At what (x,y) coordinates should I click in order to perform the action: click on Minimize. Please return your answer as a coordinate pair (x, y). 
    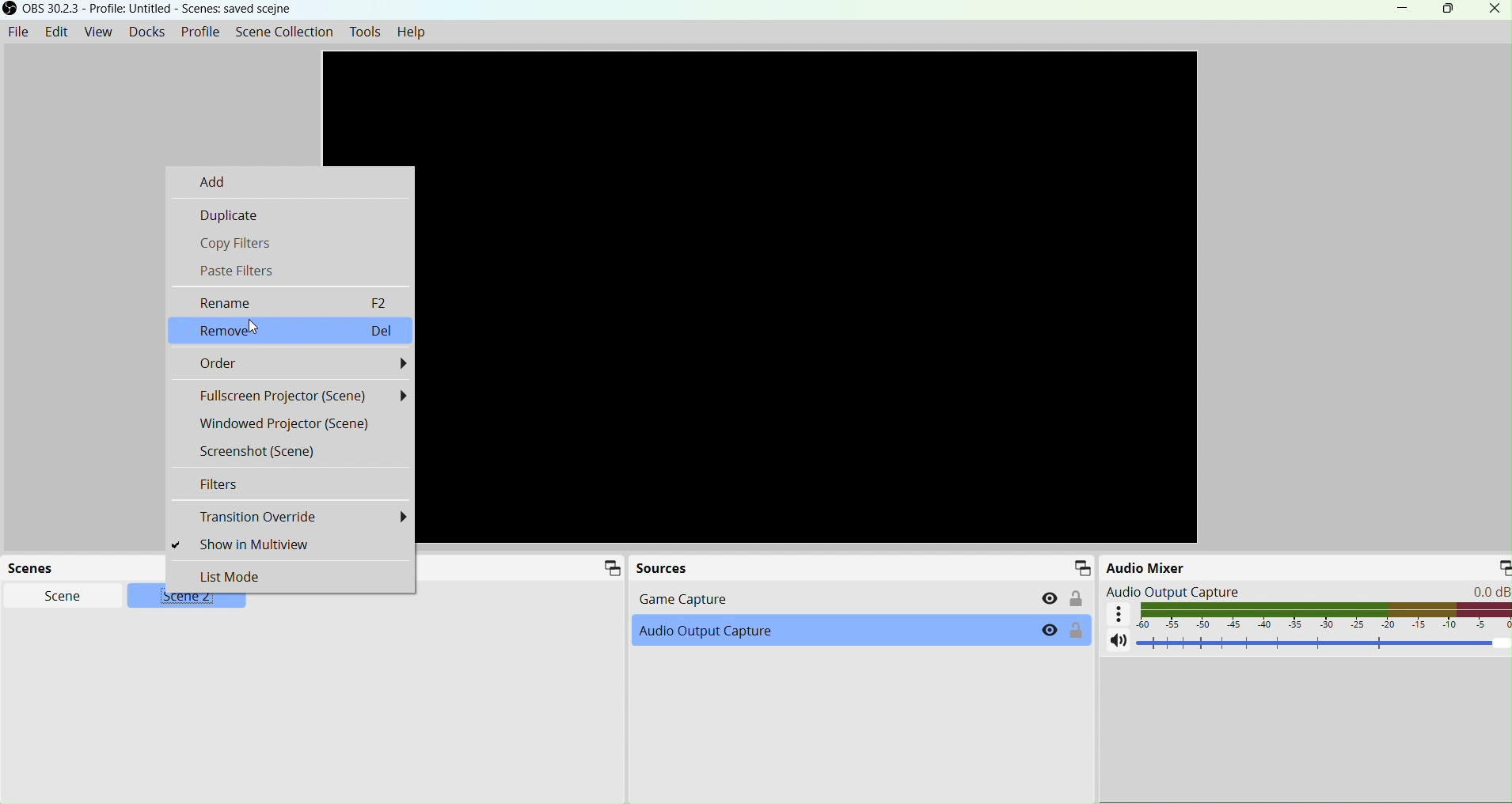
    Looking at the image, I should click on (1499, 564).